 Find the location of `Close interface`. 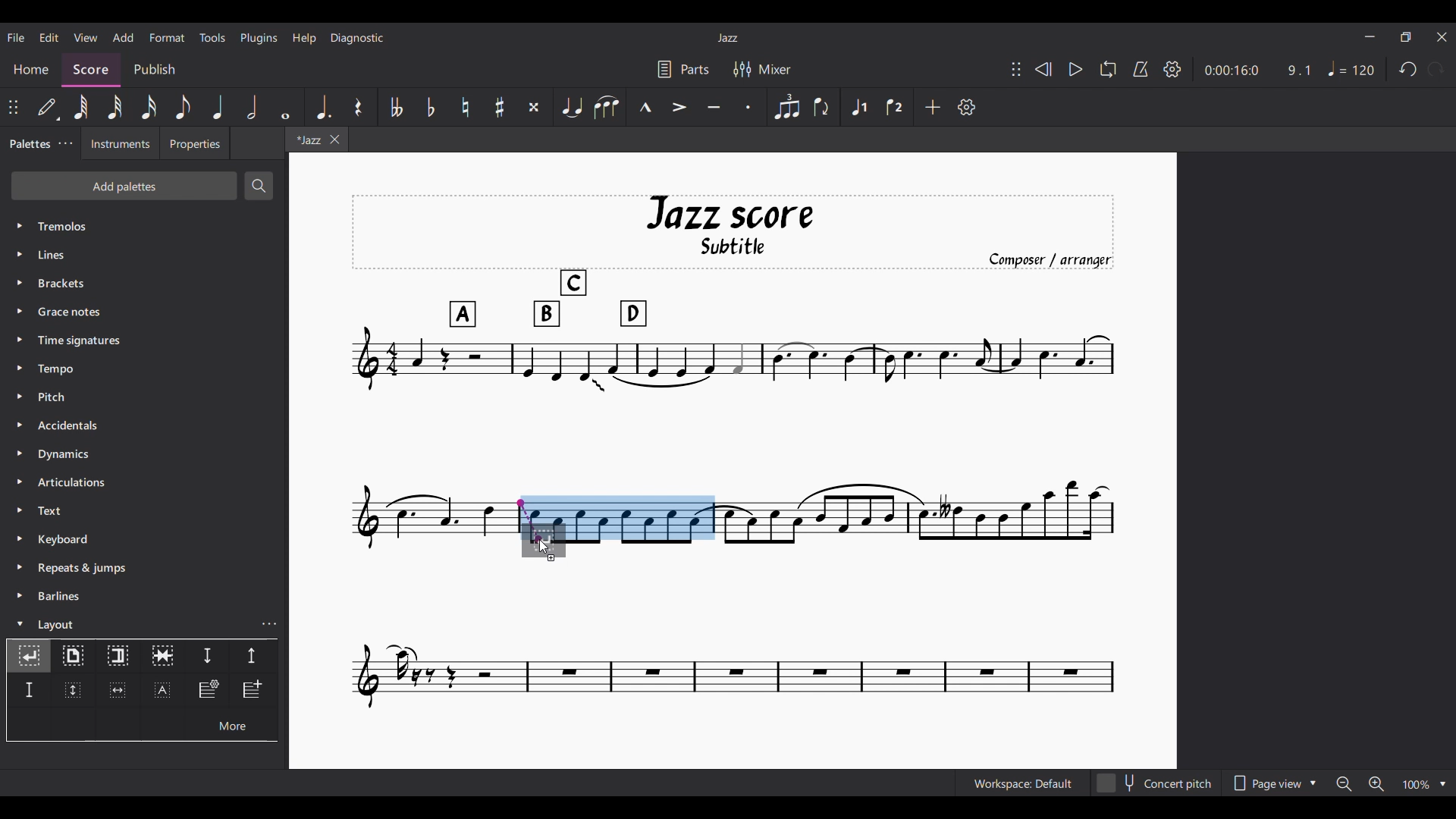

Close interface is located at coordinates (1442, 37).